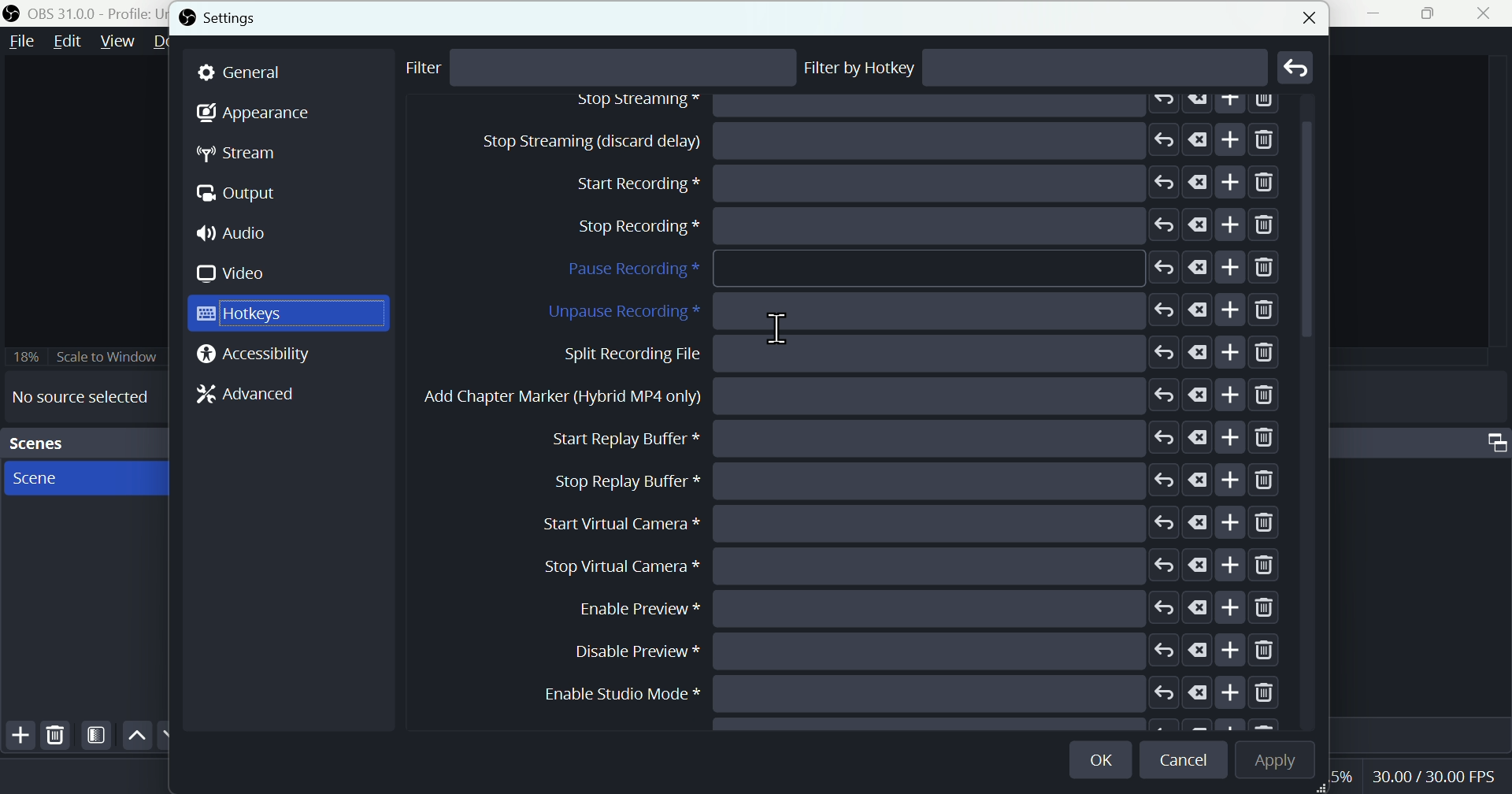 The width and height of the screenshot is (1512, 794). I want to click on Accessibility, so click(258, 355).